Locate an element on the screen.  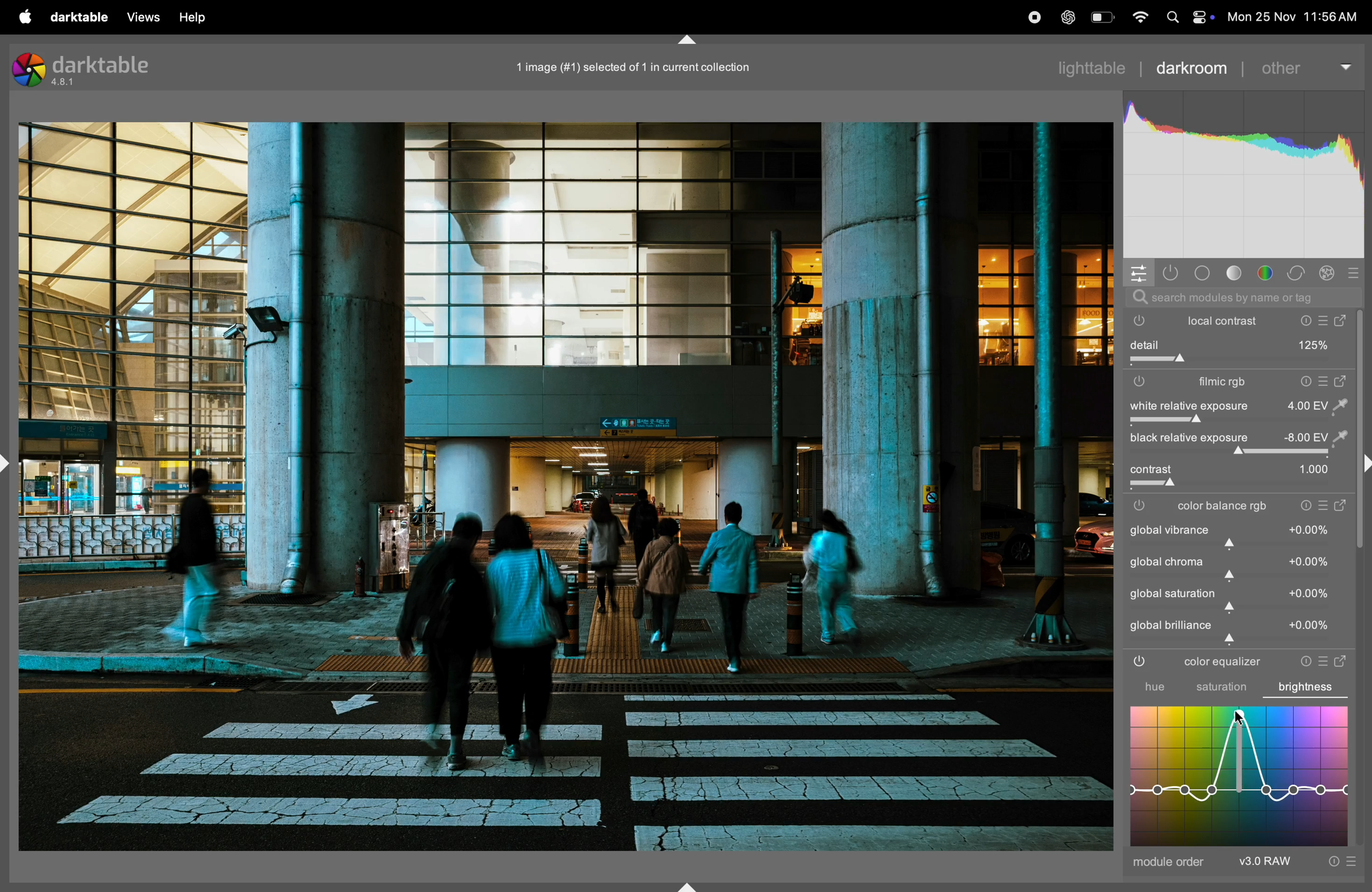
quick panel is located at coordinates (1139, 272).